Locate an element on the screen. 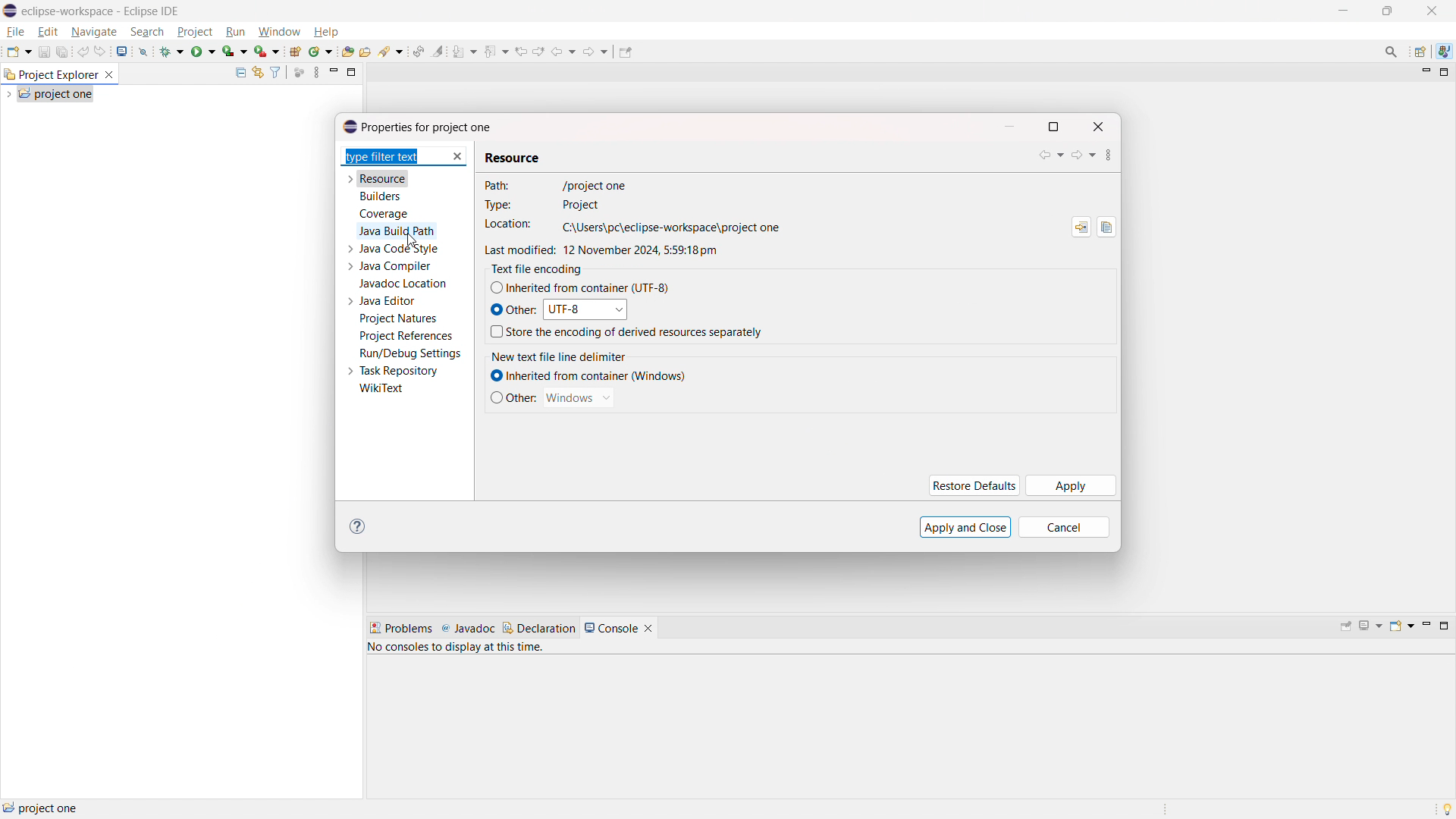 Image resolution: width=1456 pixels, height=819 pixels. inherited from container (windows) is located at coordinates (587, 376).